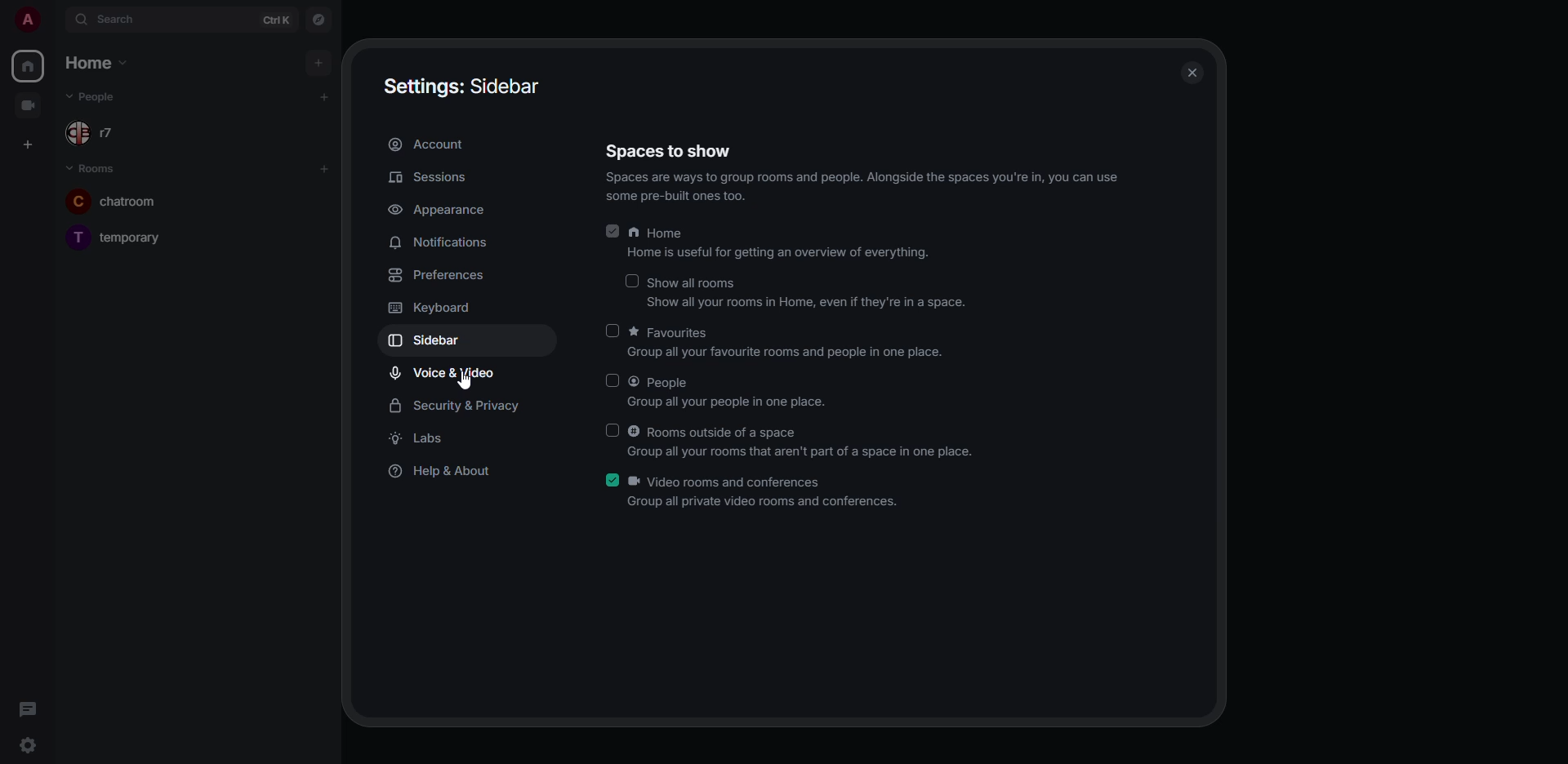 The height and width of the screenshot is (764, 1568). Describe the element at coordinates (94, 64) in the screenshot. I see `home` at that location.